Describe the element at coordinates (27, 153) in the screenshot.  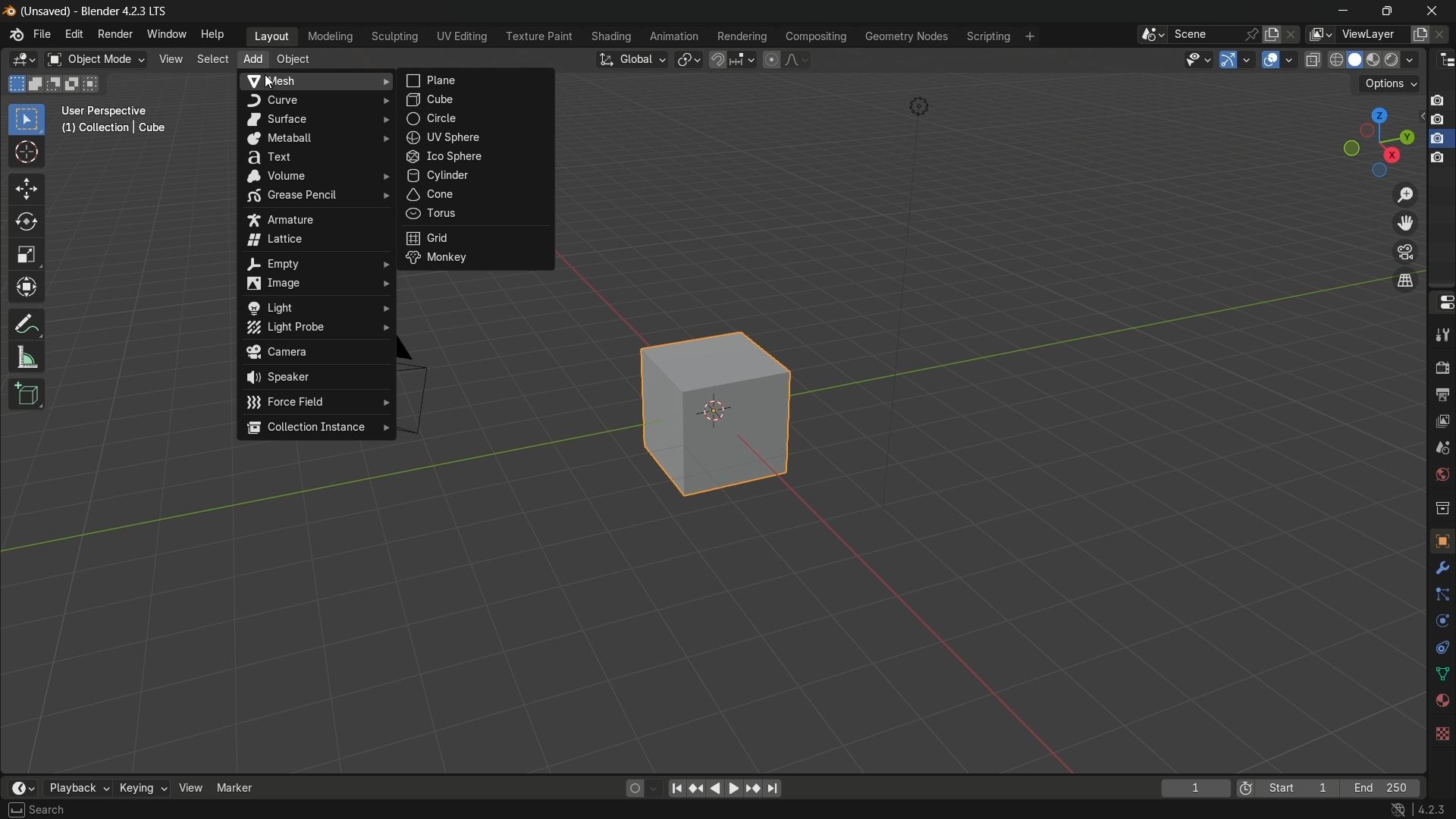
I see `cursor` at that location.